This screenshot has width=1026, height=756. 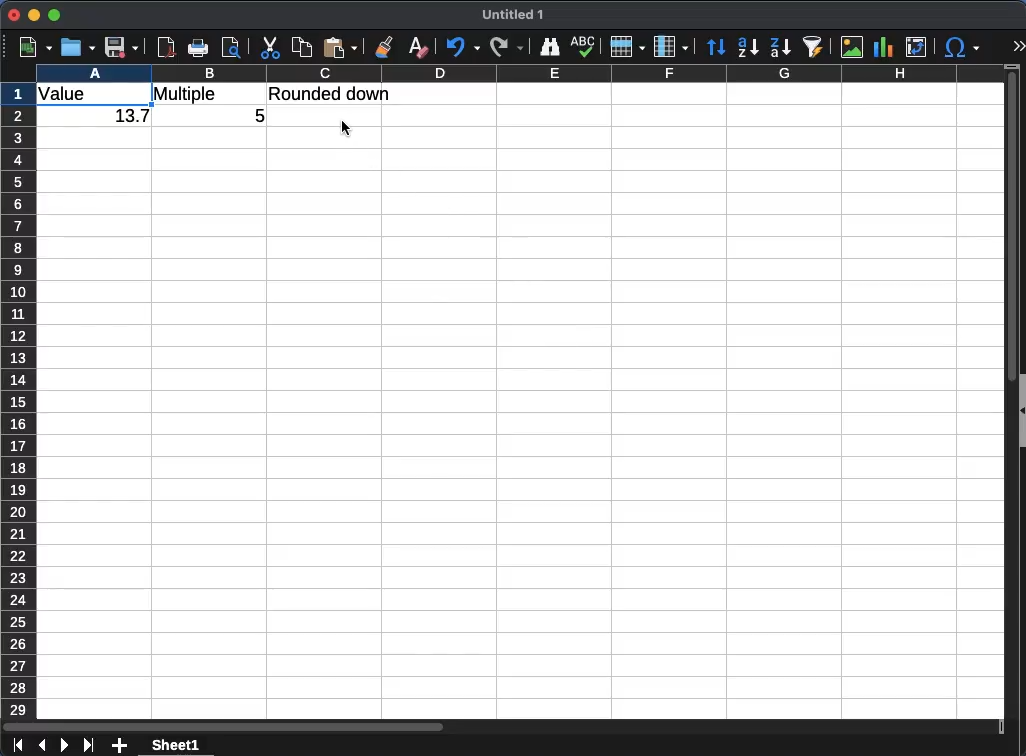 I want to click on next sheet, so click(x=64, y=745).